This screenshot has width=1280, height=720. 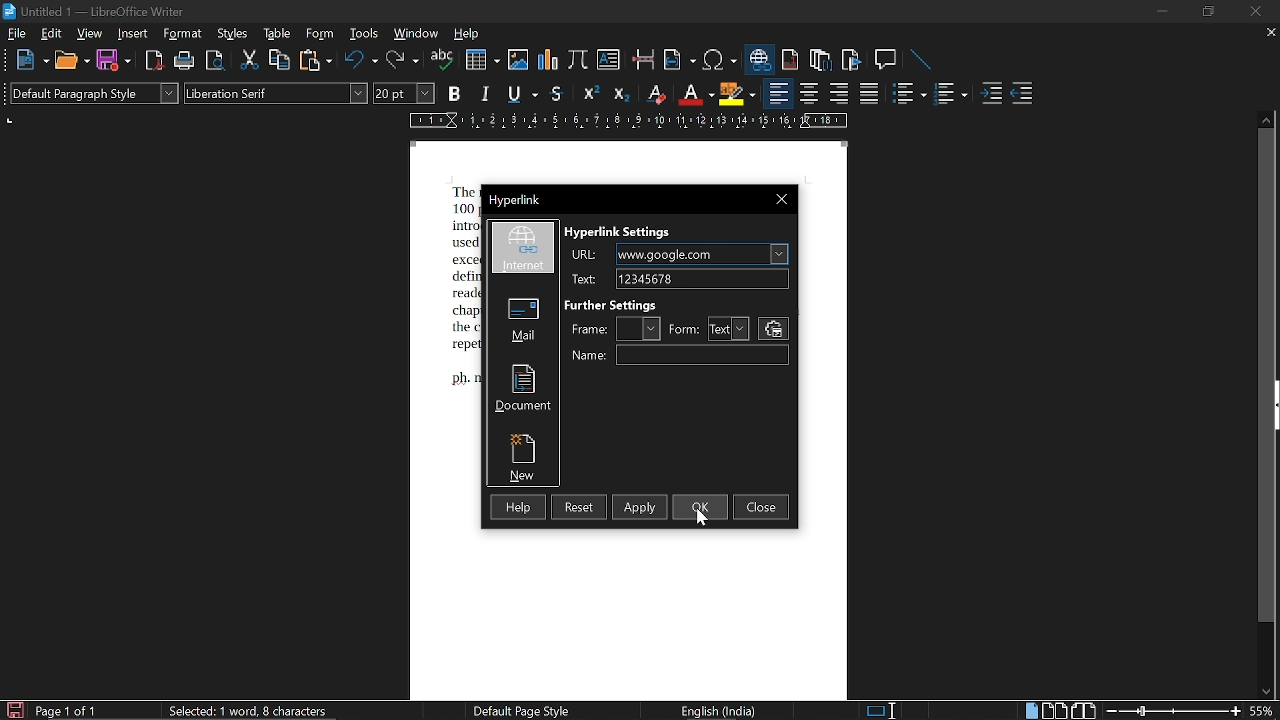 I want to click on insert bibliography, so click(x=850, y=61).